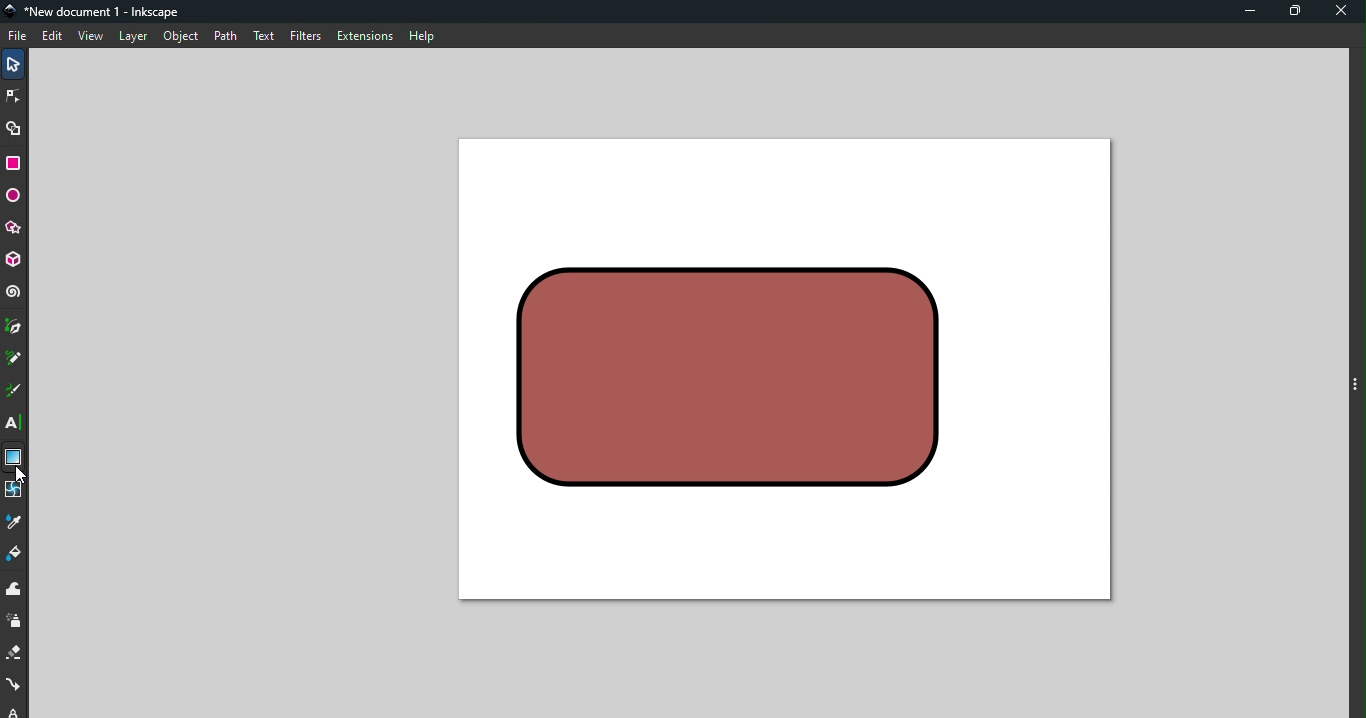  Describe the element at coordinates (1299, 12) in the screenshot. I see `Maximize` at that location.